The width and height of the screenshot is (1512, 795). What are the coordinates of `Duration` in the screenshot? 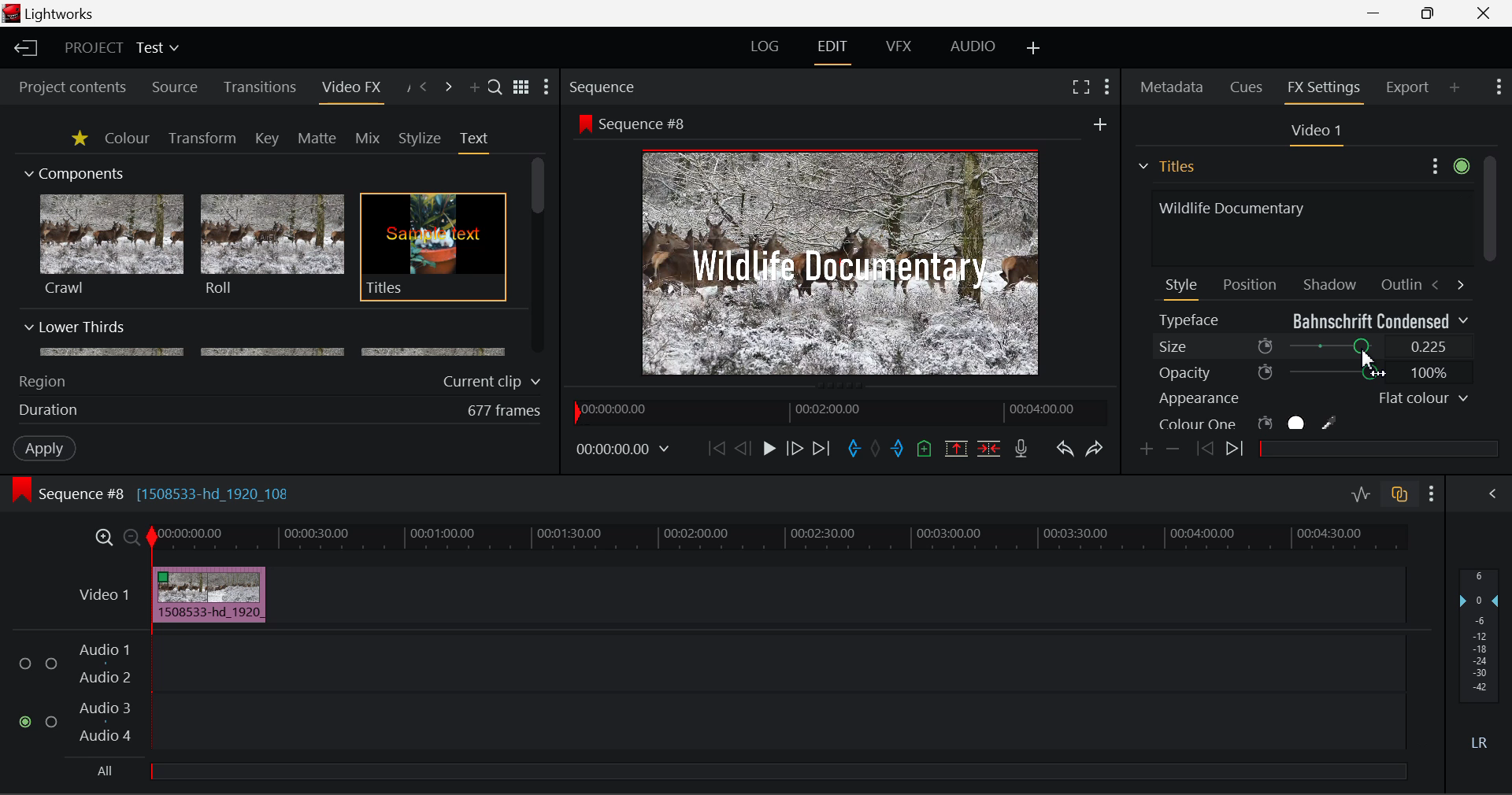 It's located at (50, 411).